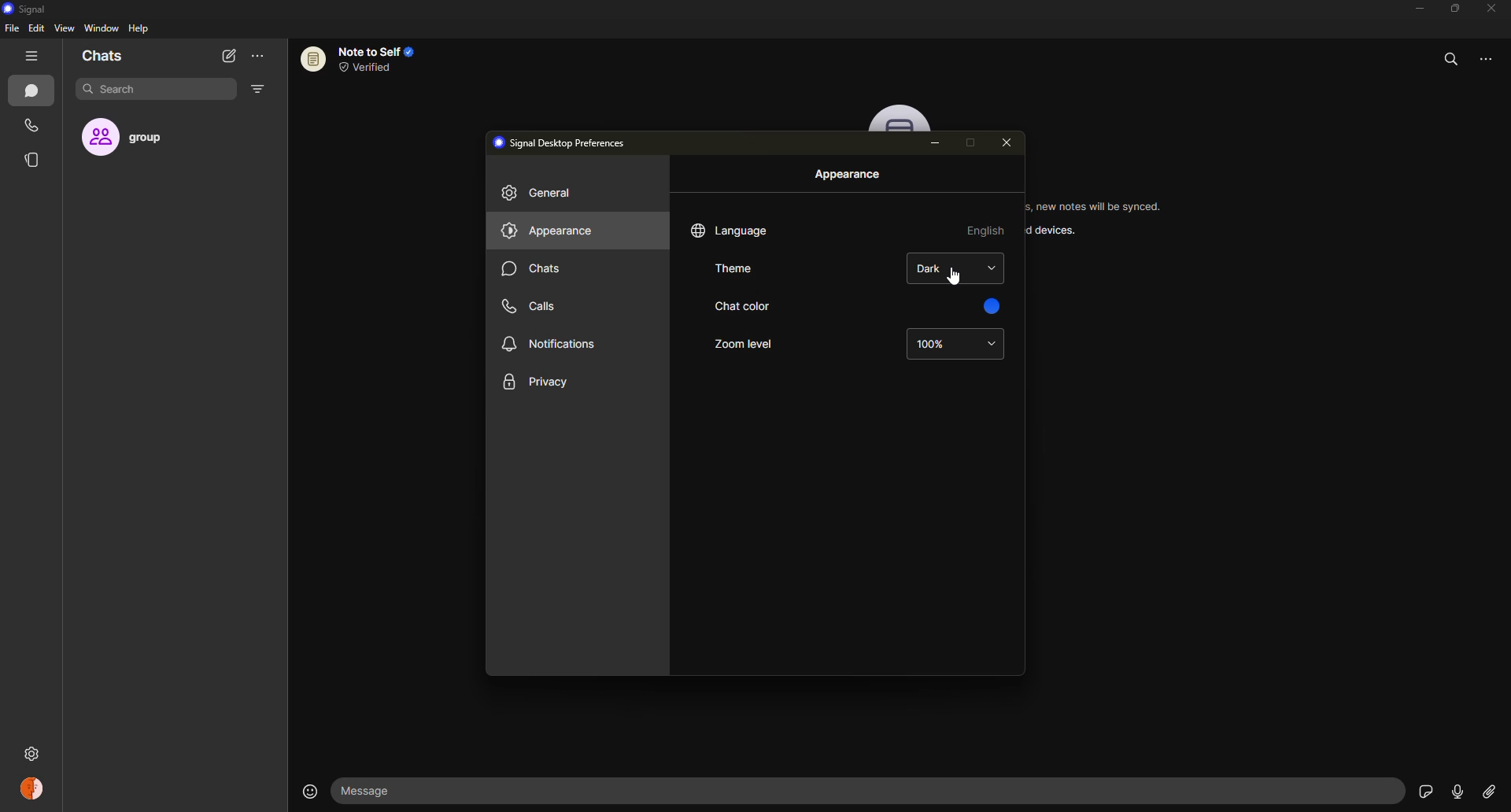  What do you see at coordinates (365, 58) in the screenshot?
I see `note to self` at bounding box center [365, 58].